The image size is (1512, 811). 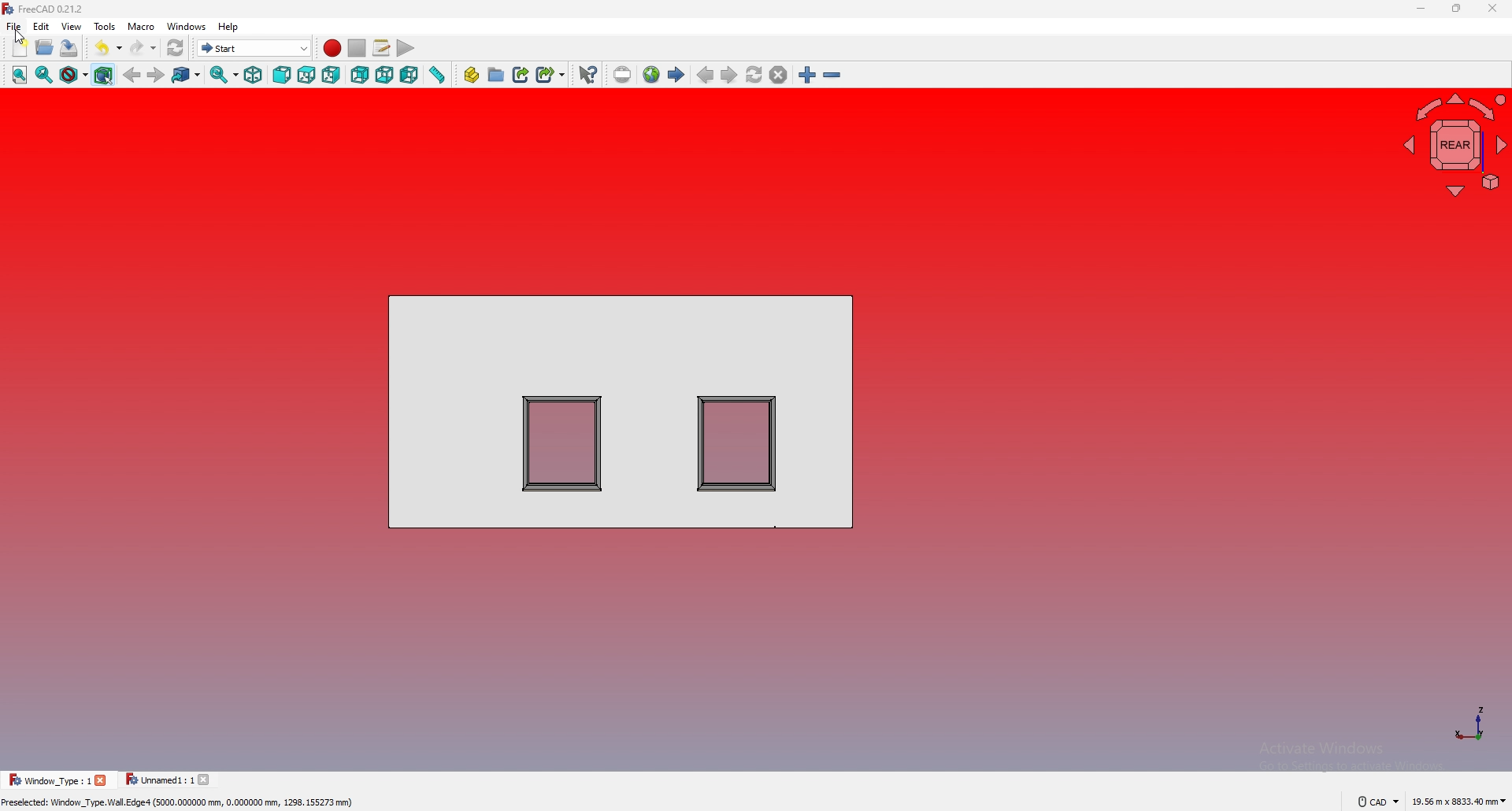 I want to click on left, so click(x=409, y=76).